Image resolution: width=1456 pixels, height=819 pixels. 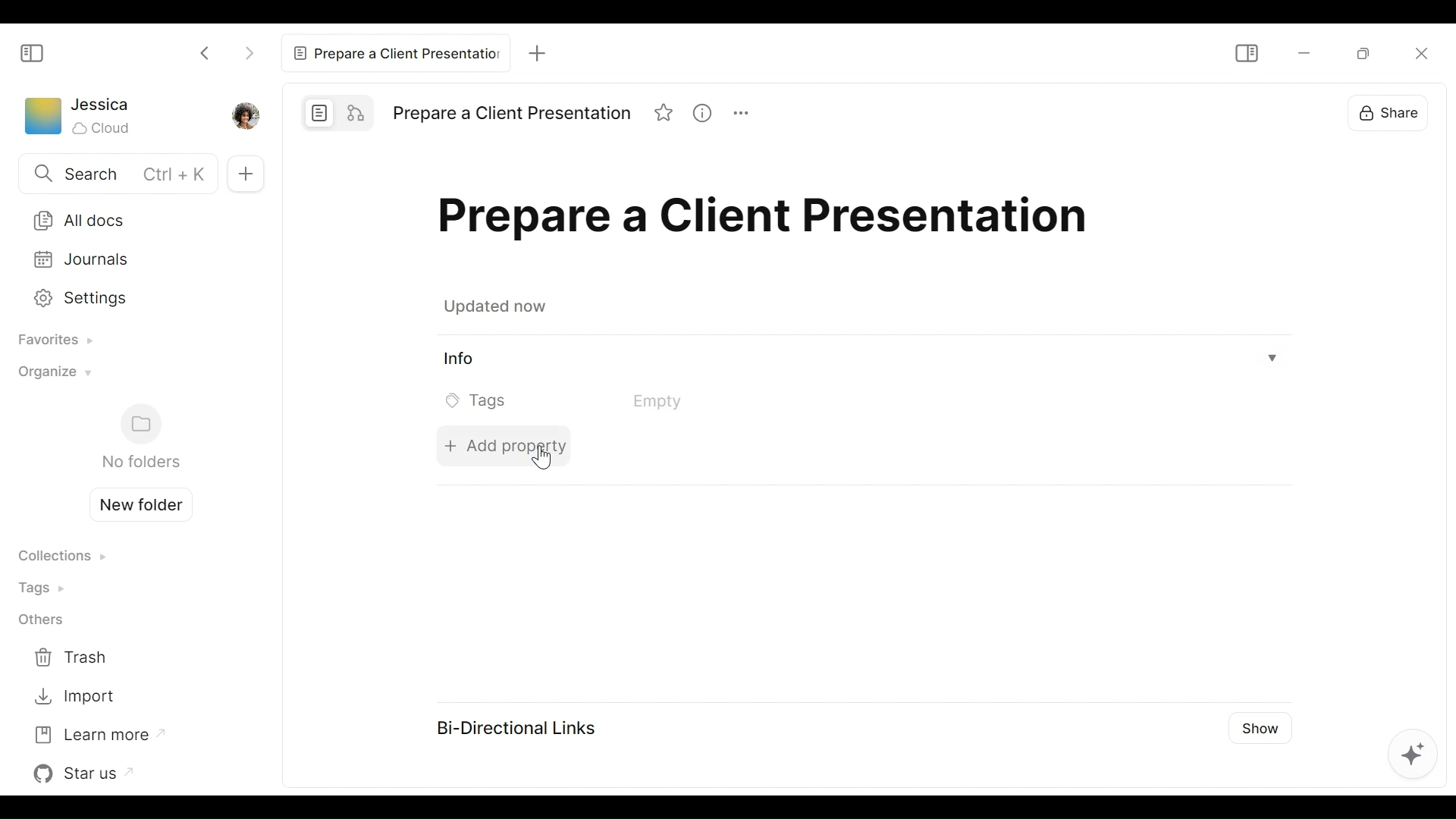 I want to click on Bi-Directional Links, so click(x=513, y=726).